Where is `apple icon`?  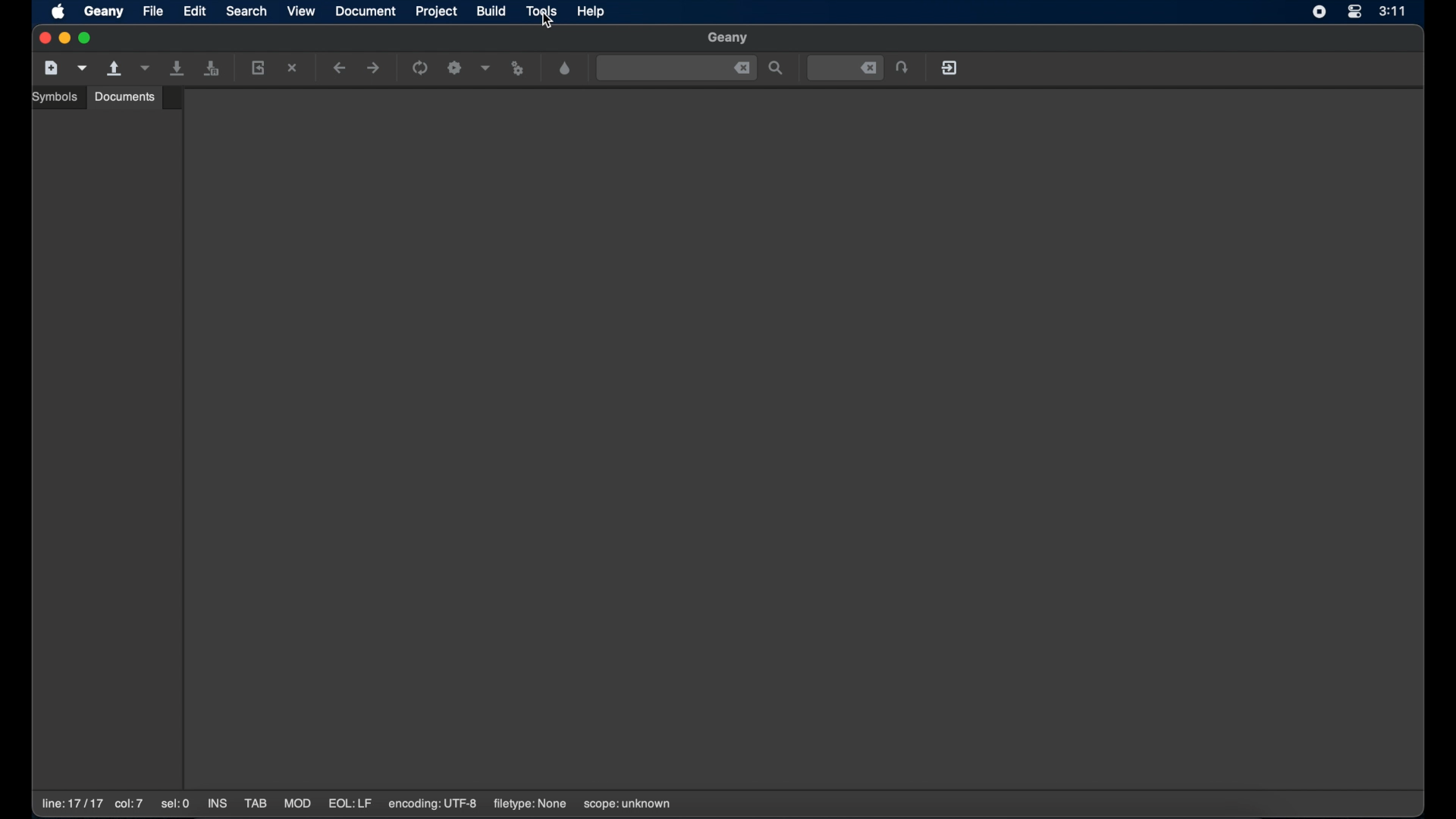 apple icon is located at coordinates (60, 13).